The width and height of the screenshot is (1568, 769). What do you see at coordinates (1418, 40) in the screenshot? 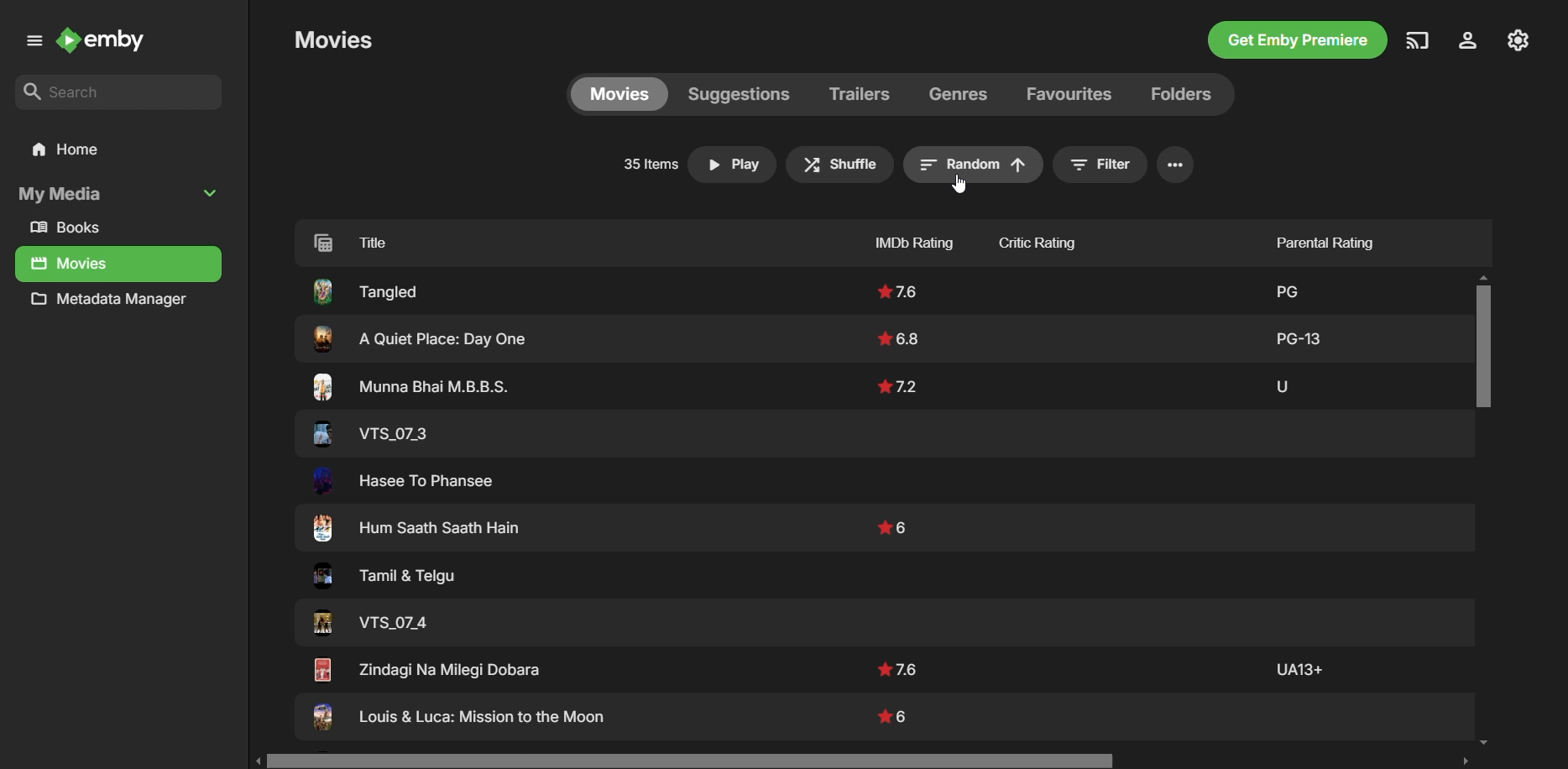
I see `Play on another device` at bounding box center [1418, 40].